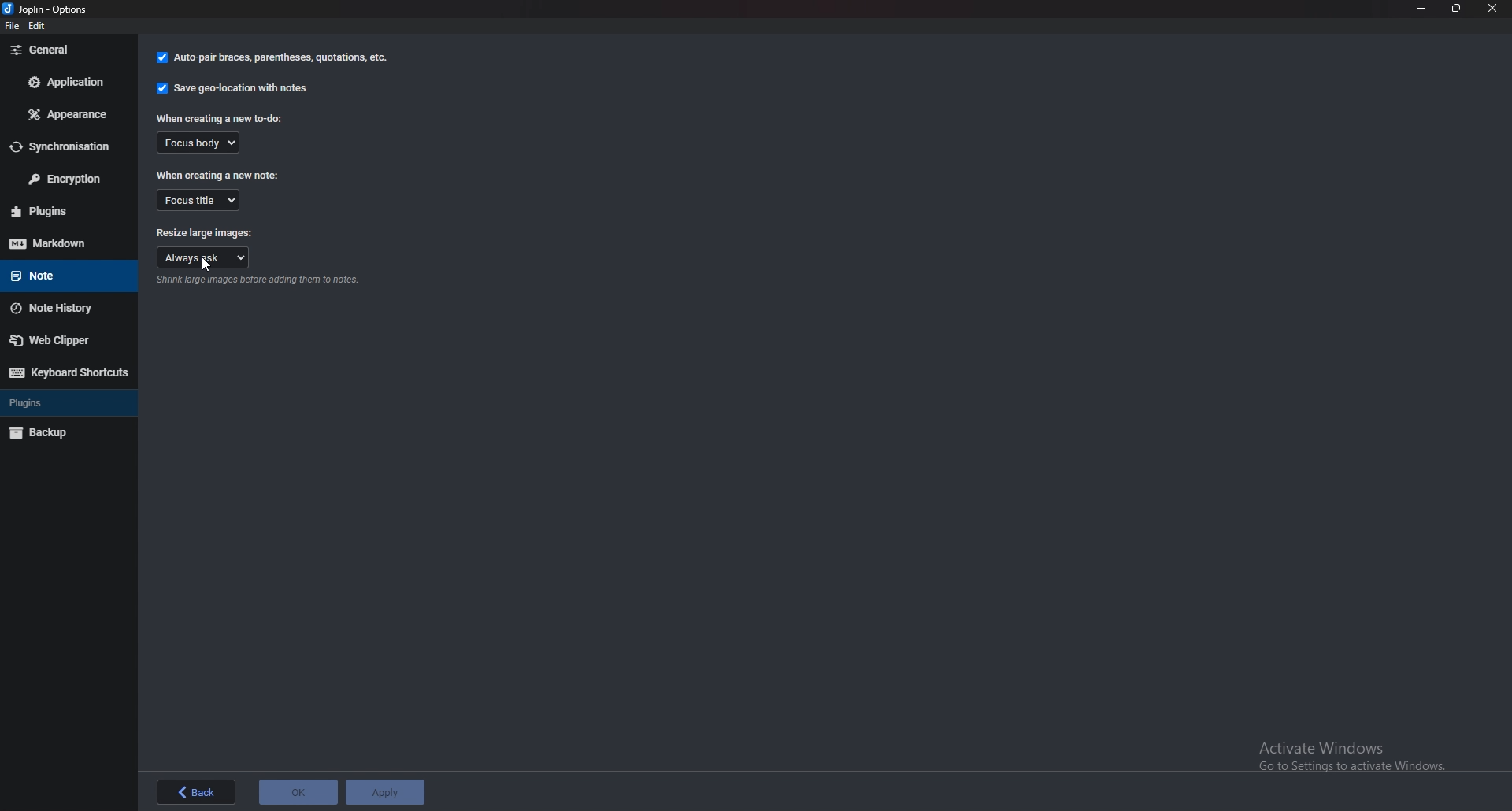 This screenshot has height=811, width=1512. Describe the element at coordinates (219, 175) in the screenshot. I see `When creating a new note` at that location.